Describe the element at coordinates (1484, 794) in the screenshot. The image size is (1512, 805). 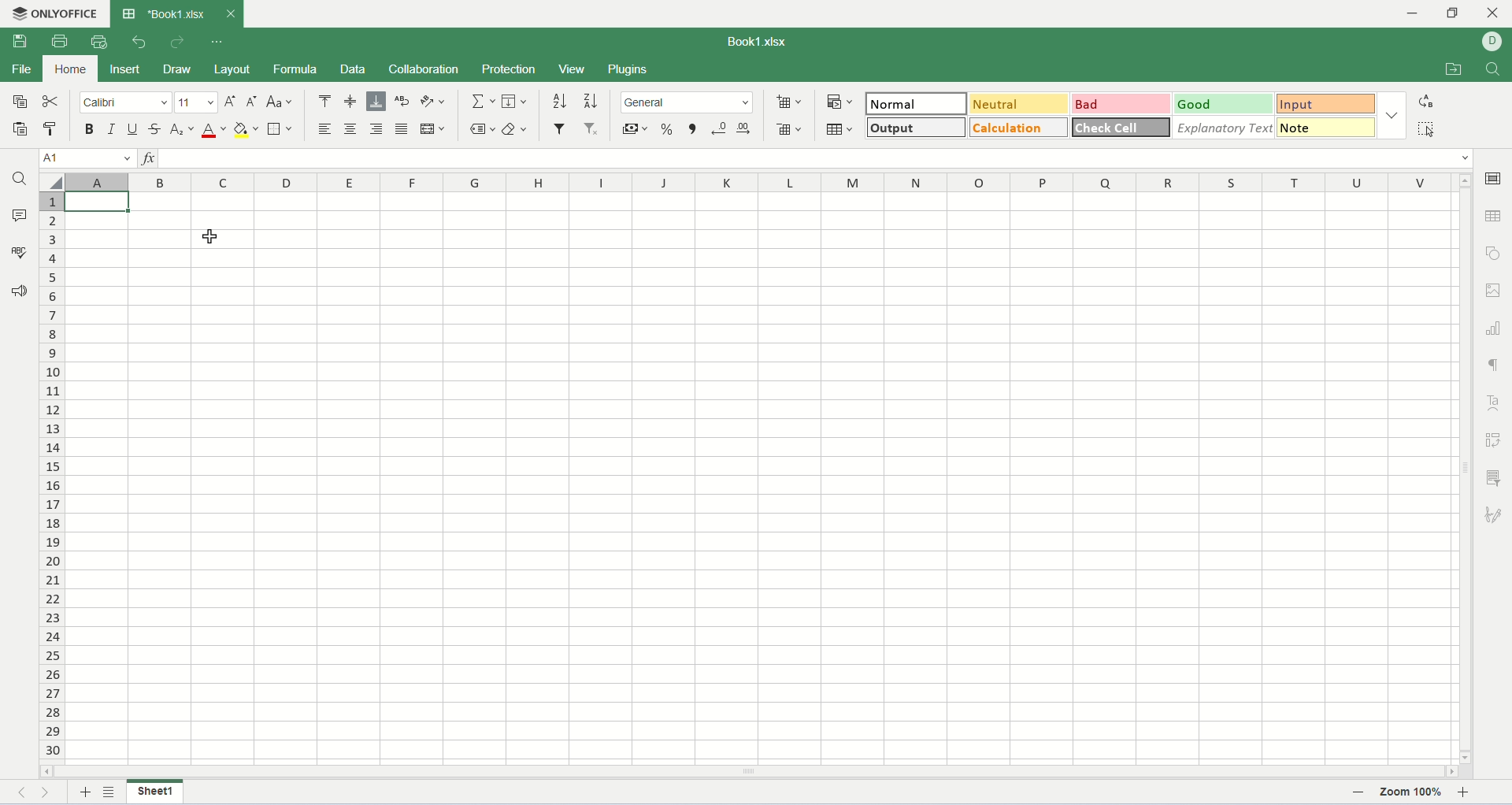
I see `zoom in` at that location.